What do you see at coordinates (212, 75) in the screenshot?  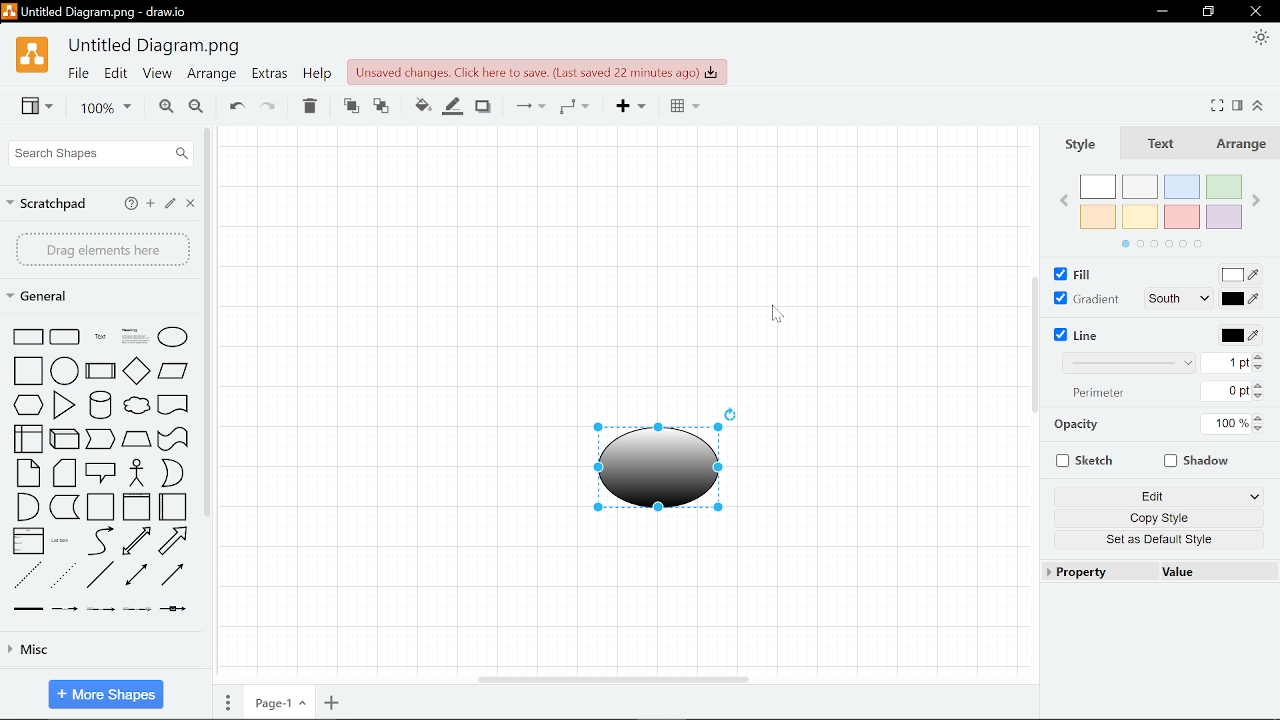 I see `Arrange` at bounding box center [212, 75].